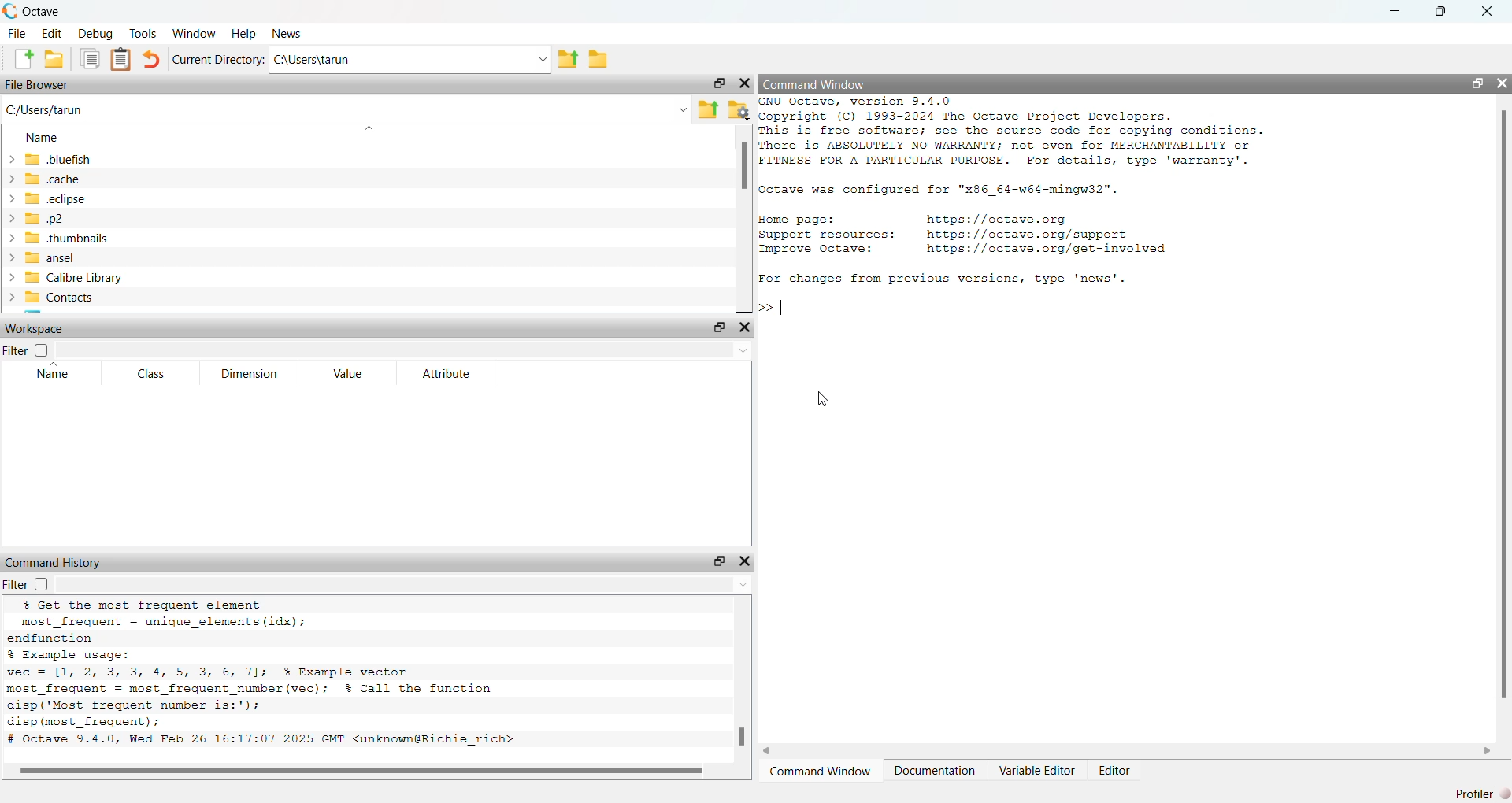 This screenshot has width=1512, height=803. I want to click on % Get the most frequent element
most_frequent = unique_elements (idx);
endfunction
% Example usage:
vec = [1, 2, 3, 3, 4, 5, 3, 6 7]; % Example vector
most_frequent = most_frequent_number (vec); $ Call the function
disp('Most frequent number is:');
disp (most_frequent) ;
# Octave 9.4.0, Wed Feb 26 16:17:07 2025 GMT <unknown@Richie_rich>, so click(265, 673).